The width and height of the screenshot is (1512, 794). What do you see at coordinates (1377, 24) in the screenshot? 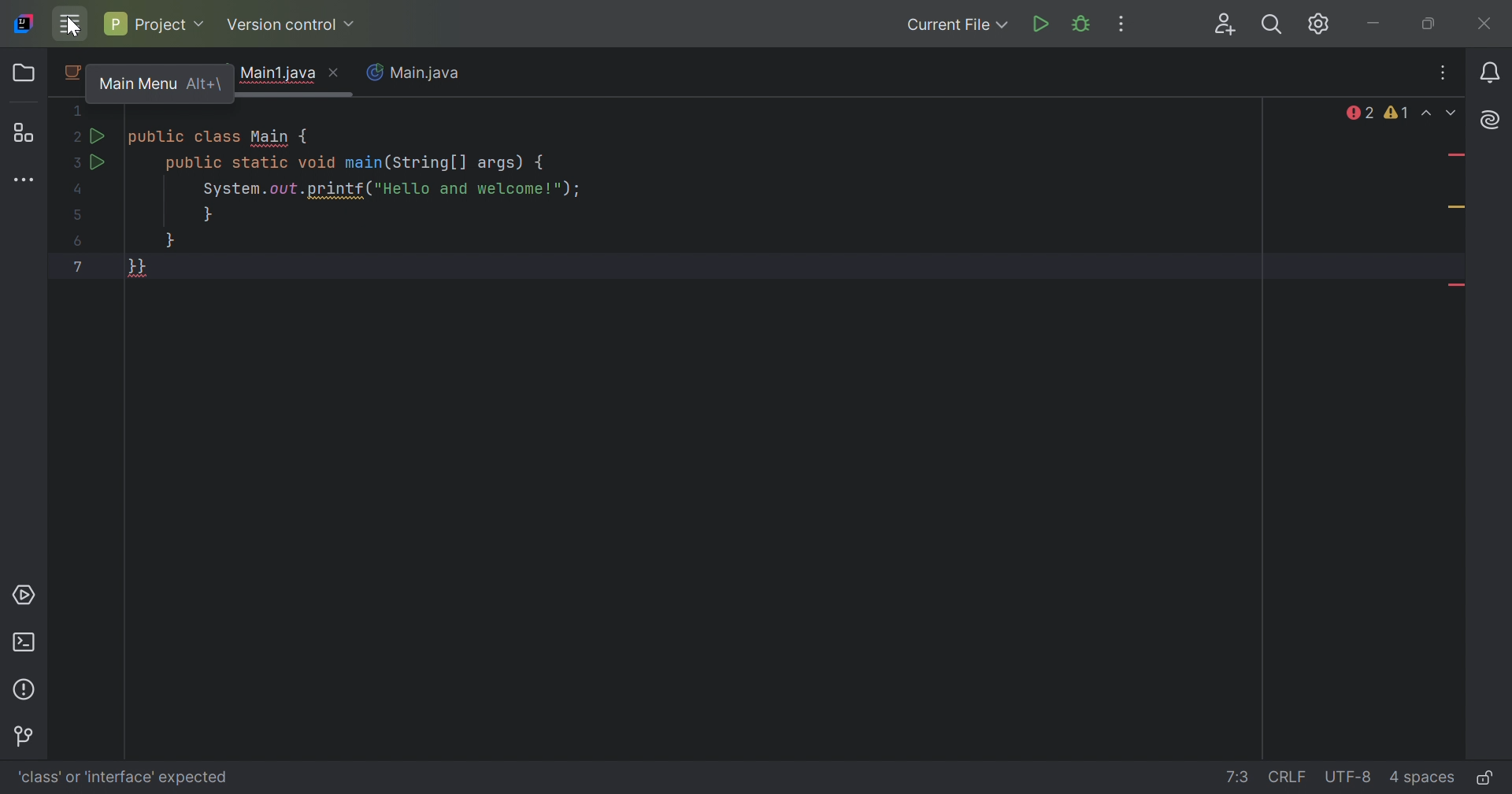
I see `Minimize` at bounding box center [1377, 24].